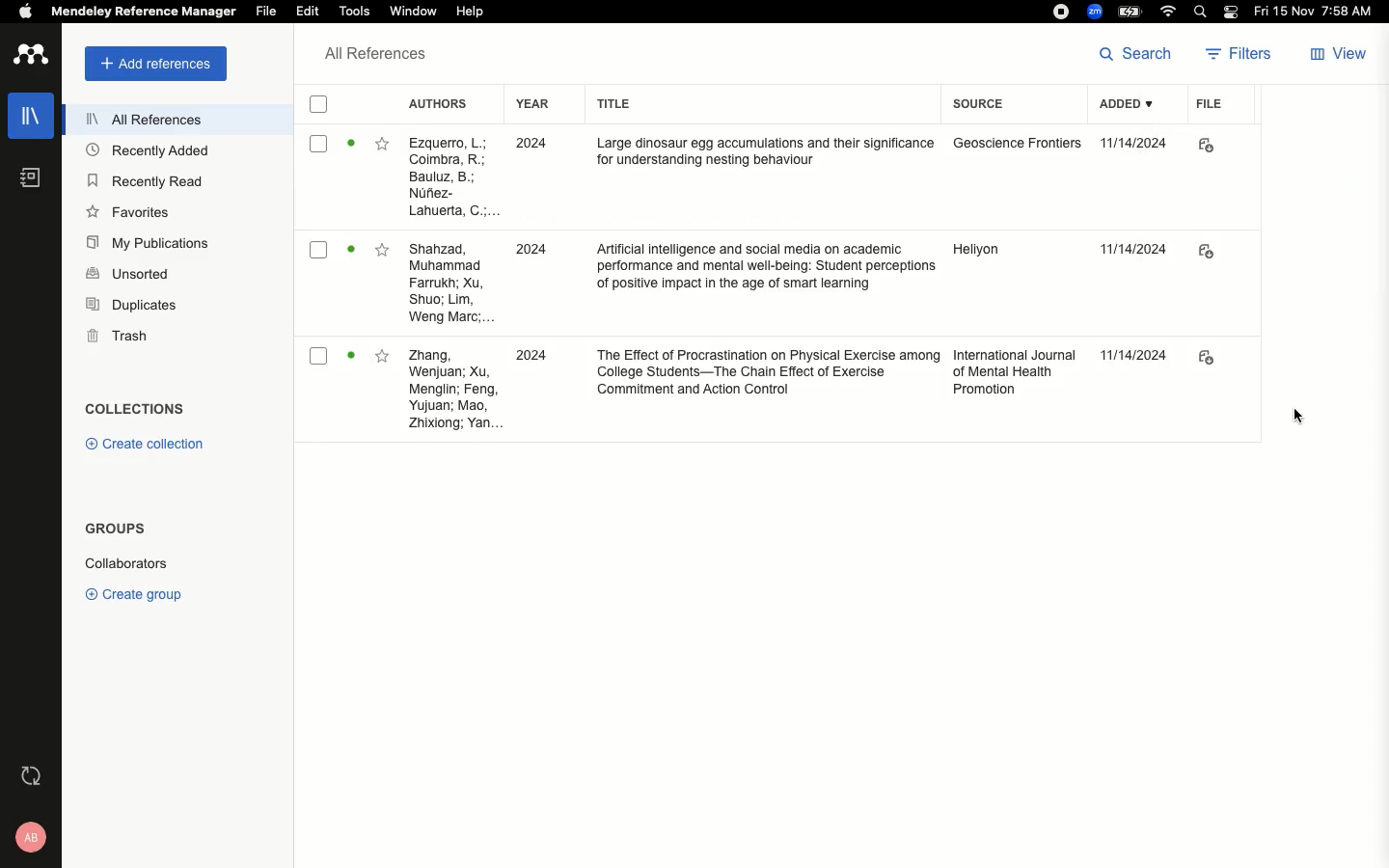 Image resolution: width=1389 pixels, height=868 pixels. I want to click on Unsorted, so click(127, 272).